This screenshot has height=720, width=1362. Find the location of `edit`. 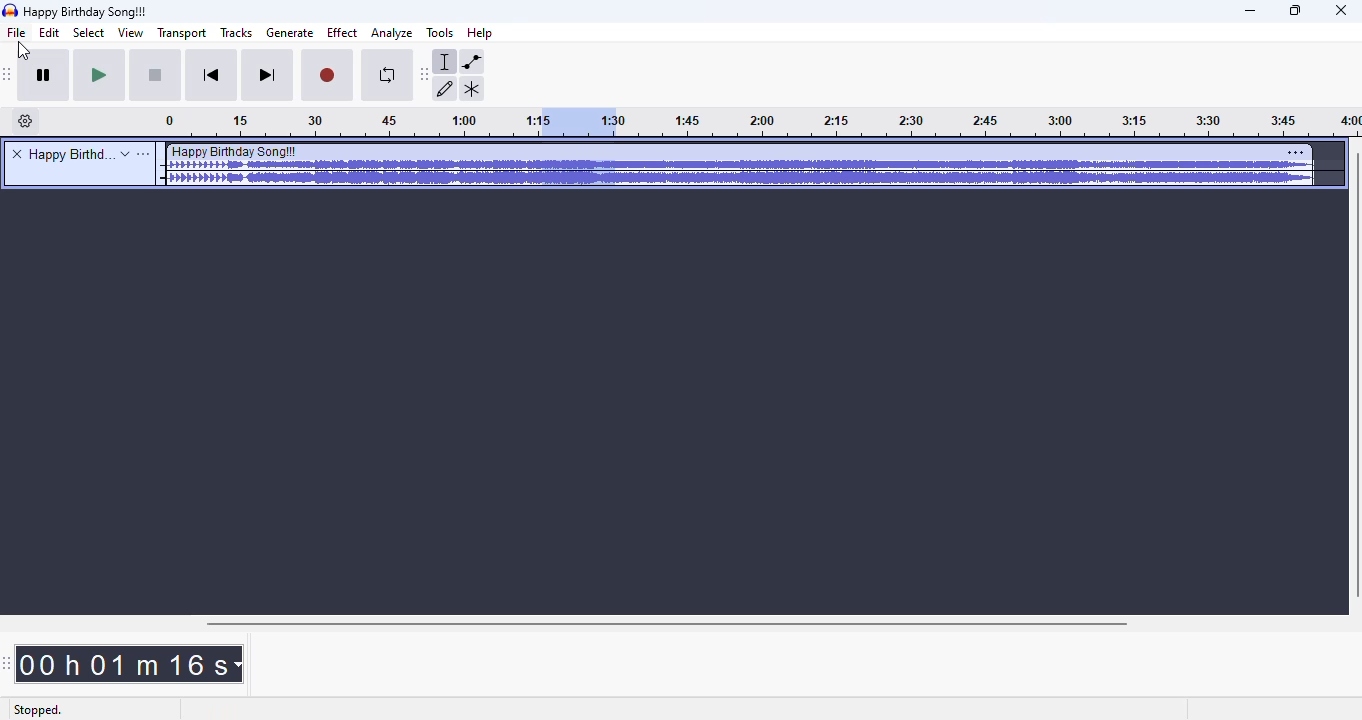

edit is located at coordinates (52, 33).